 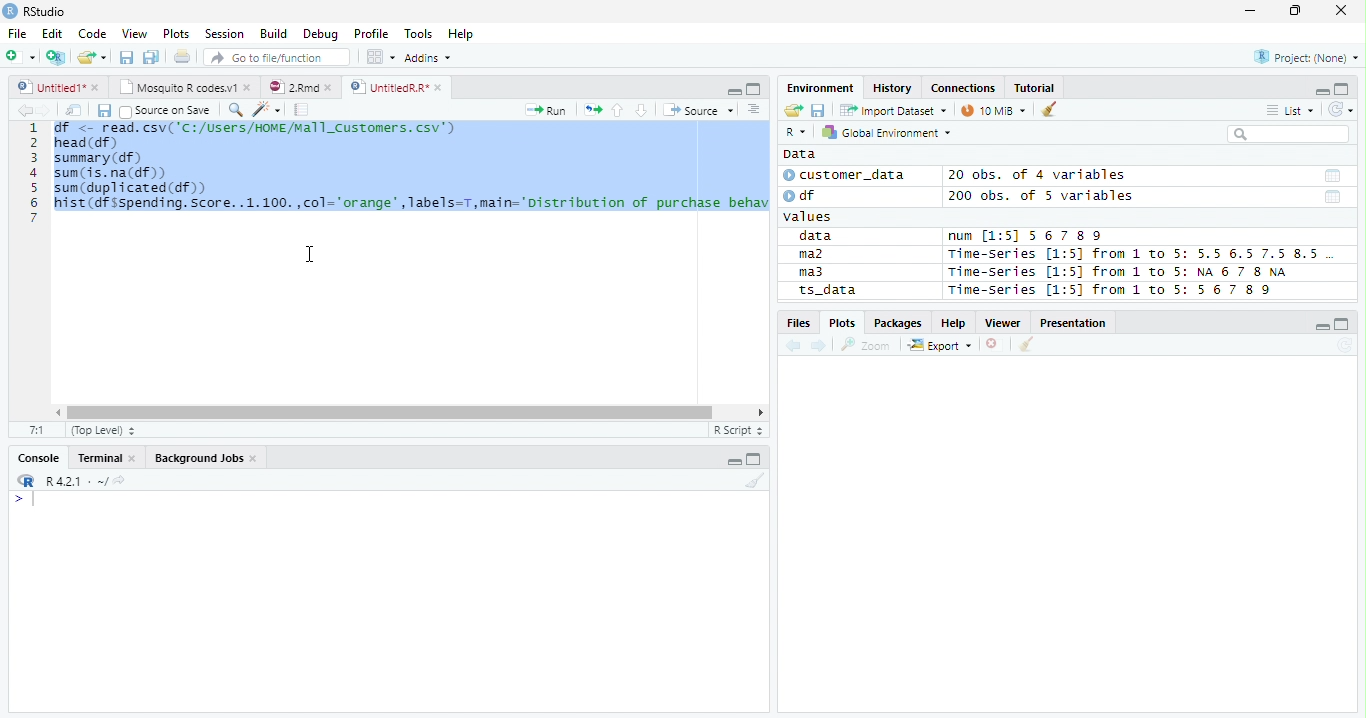 What do you see at coordinates (891, 110) in the screenshot?
I see `Import Dataset` at bounding box center [891, 110].